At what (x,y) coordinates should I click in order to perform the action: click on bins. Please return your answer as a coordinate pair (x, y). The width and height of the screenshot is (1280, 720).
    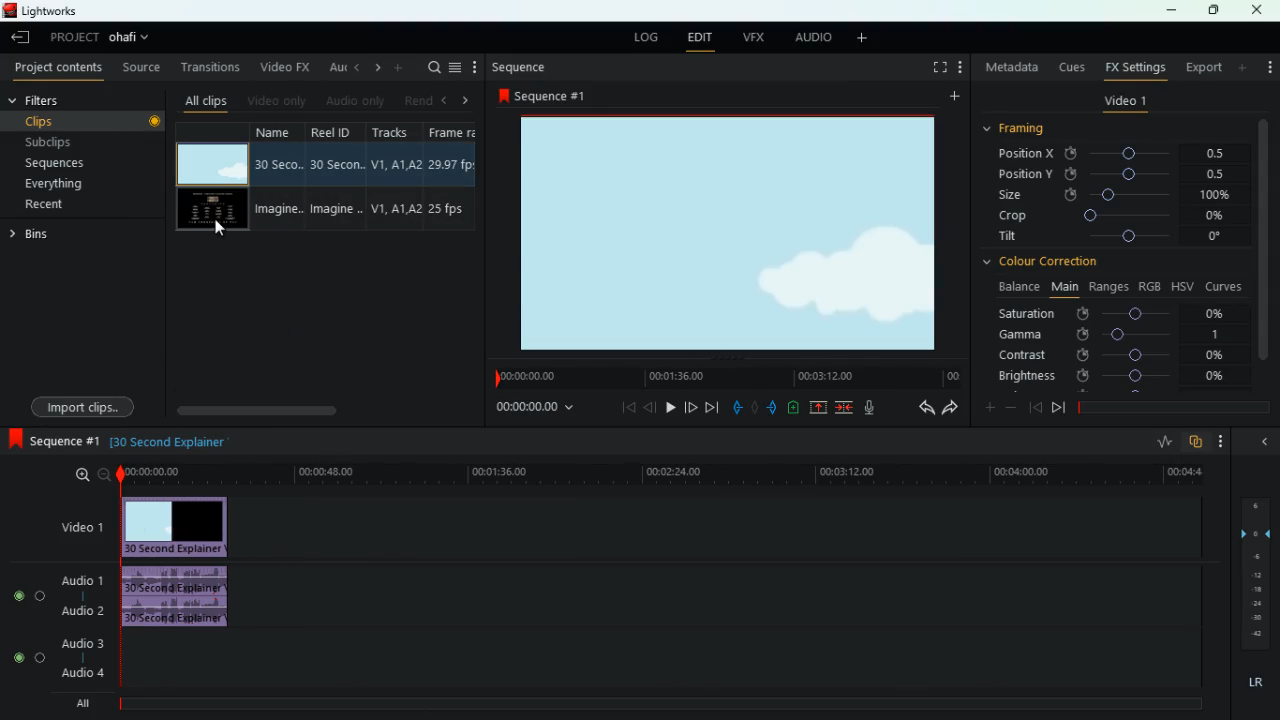
    Looking at the image, I should click on (33, 237).